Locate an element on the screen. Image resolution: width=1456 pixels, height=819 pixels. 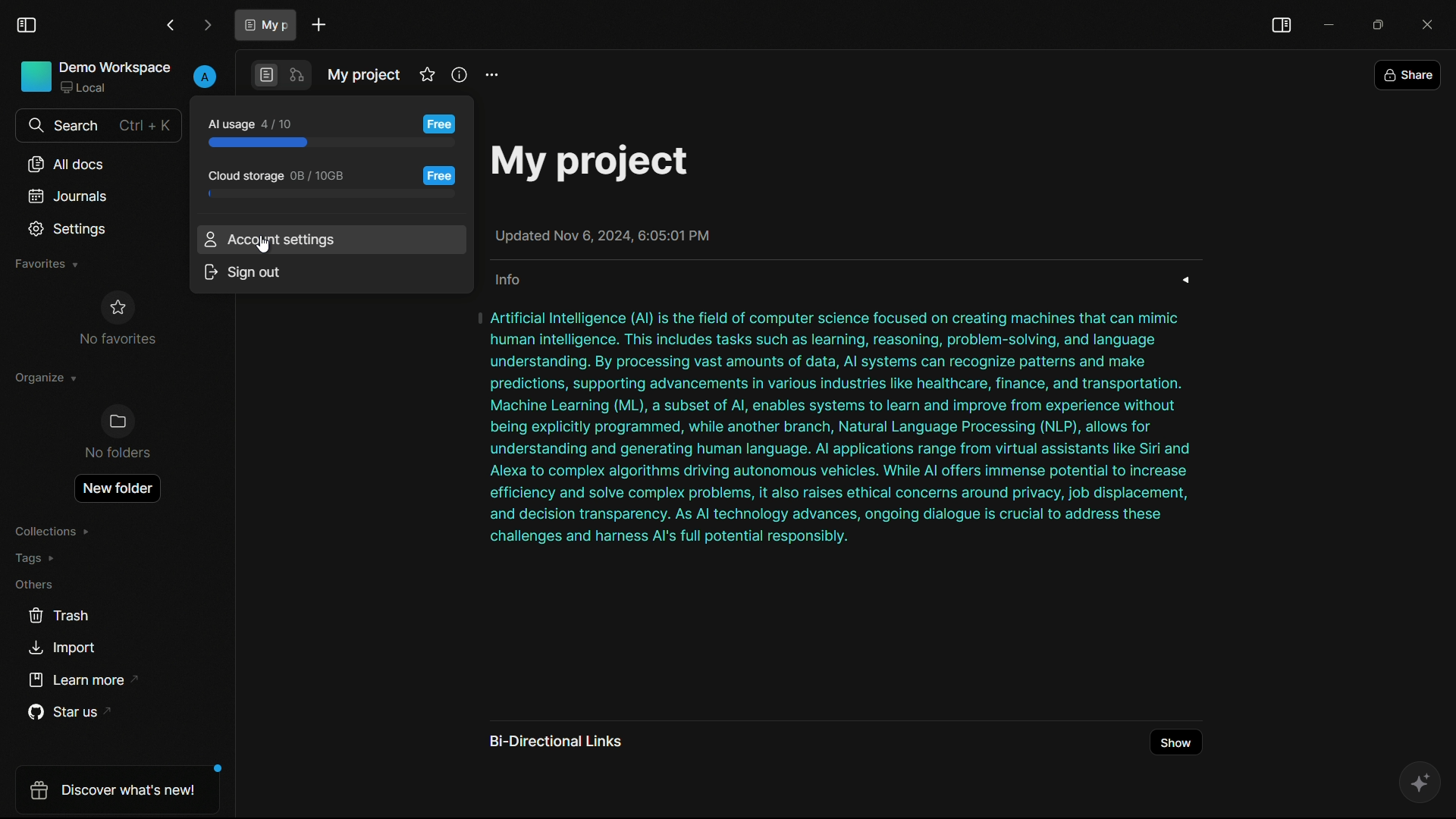
tags is located at coordinates (36, 562).